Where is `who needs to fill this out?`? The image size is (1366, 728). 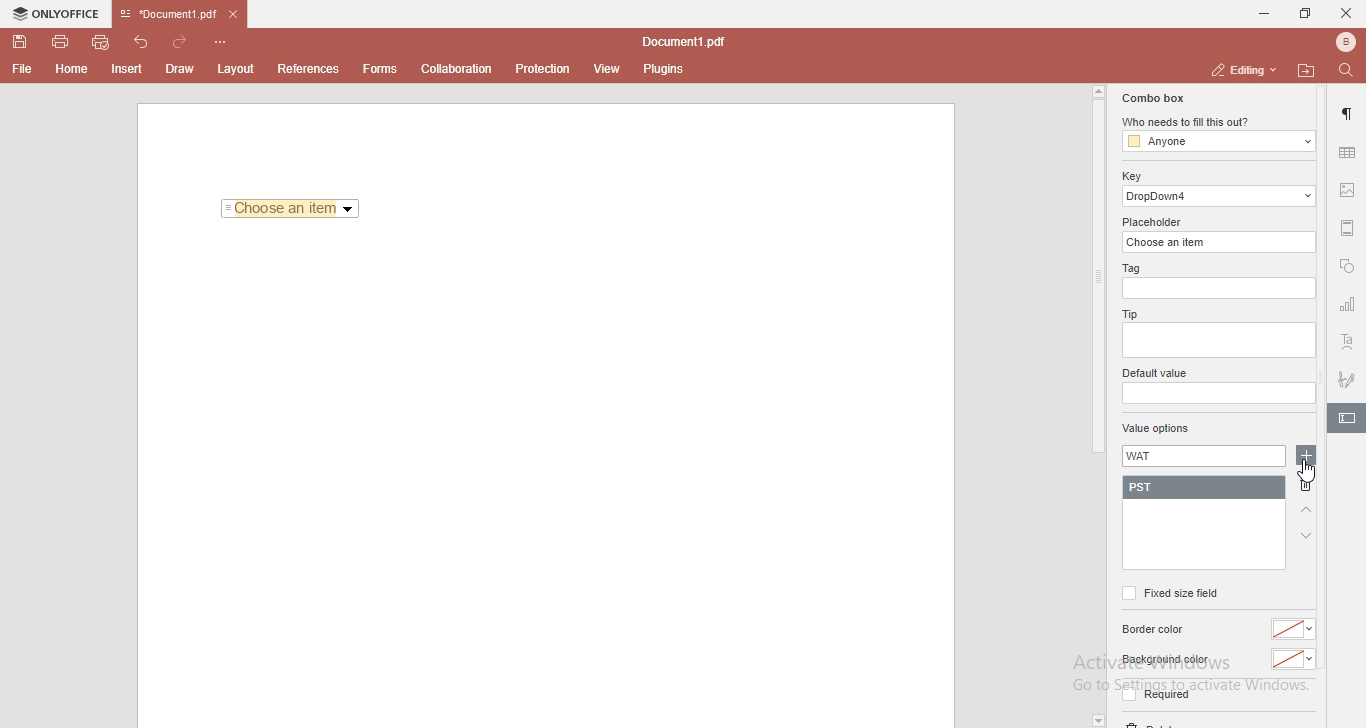 who needs to fill this out? is located at coordinates (1216, 123).